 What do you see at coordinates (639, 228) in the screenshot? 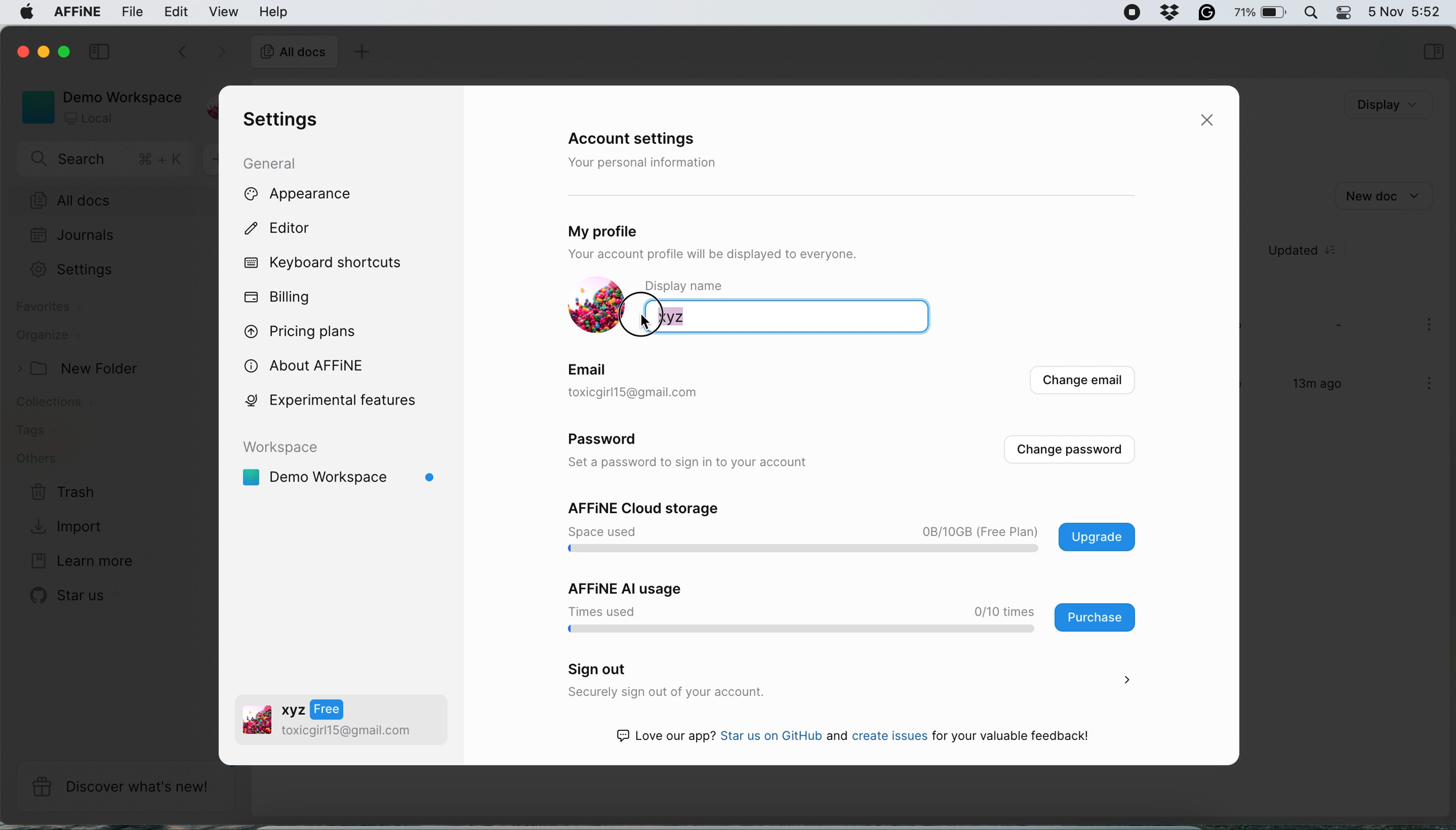
I see `my profile` at bounding box center [639, 228].